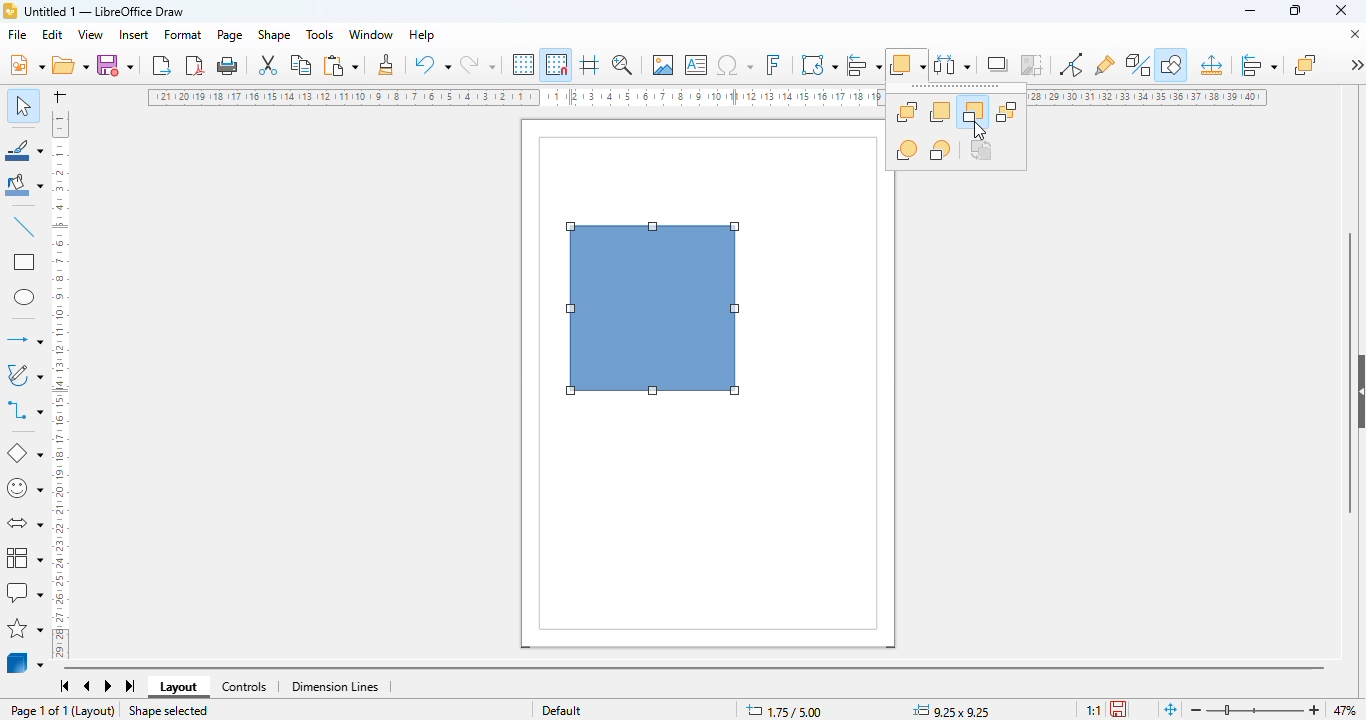 Image resolution: width=1366 pixels, height=720 pixels. What do you see at coordinates (999, 64) in the screenshot?
I see `shadow` at bounding box center [999, 64].